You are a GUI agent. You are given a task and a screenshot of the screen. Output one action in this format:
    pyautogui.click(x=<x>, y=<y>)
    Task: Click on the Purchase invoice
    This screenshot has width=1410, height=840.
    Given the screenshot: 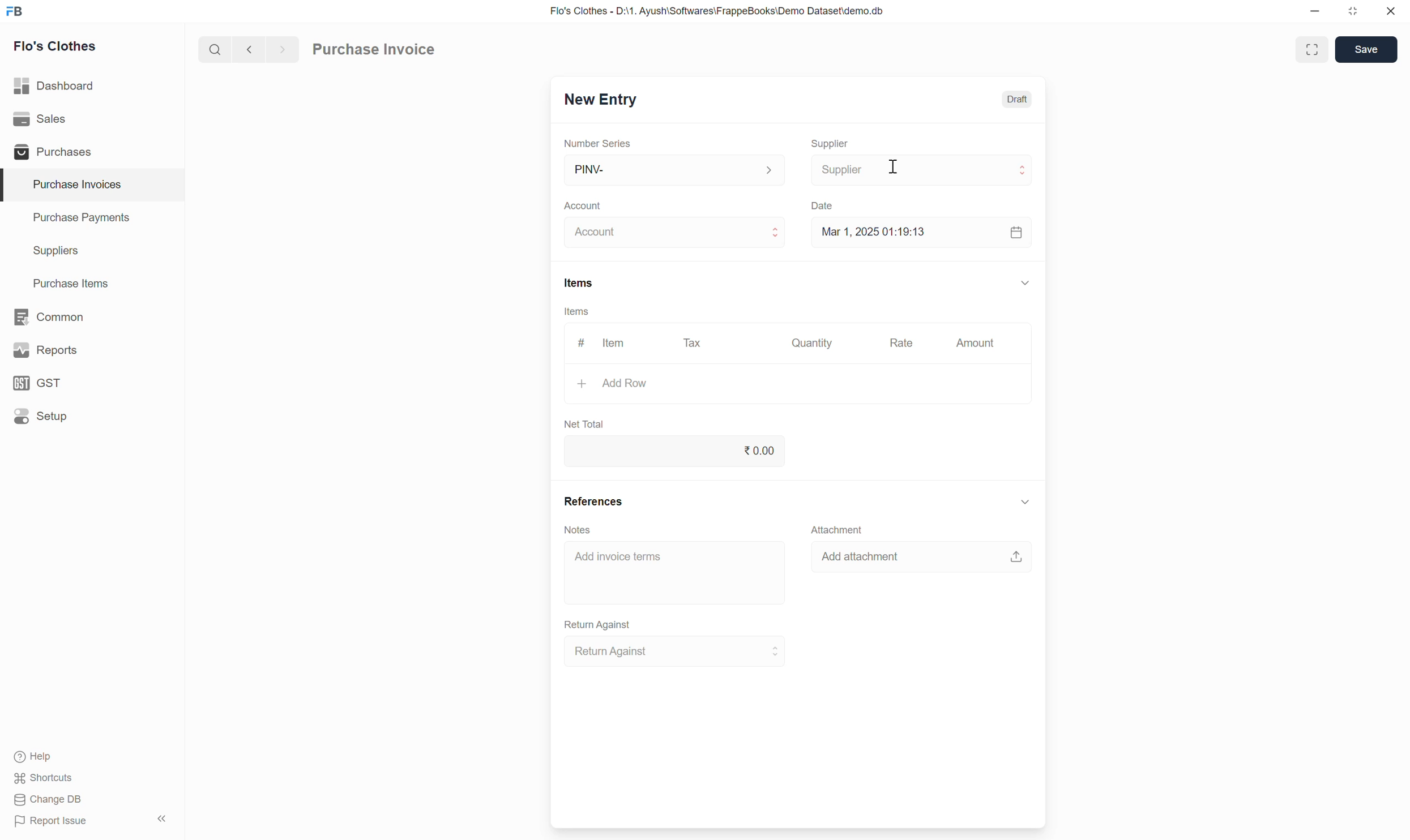 What is the action you would take?
    pyautogui.click(x=388, y=48)
    